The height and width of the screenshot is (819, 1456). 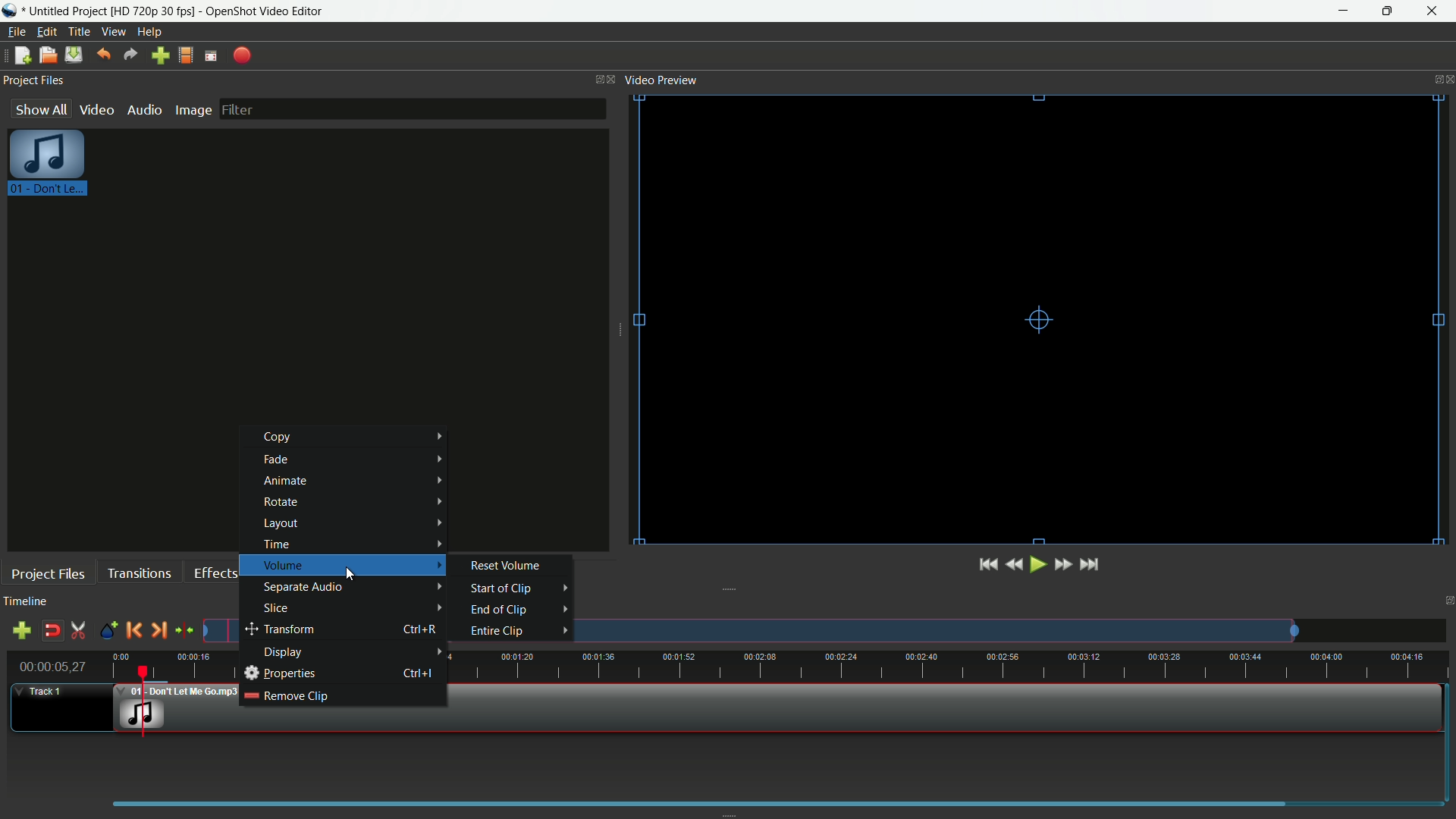 What do you see at coordinates (184, 631) in the screenshot?
I see `center the timeline on the playhead` at bounding box center [184, 631].